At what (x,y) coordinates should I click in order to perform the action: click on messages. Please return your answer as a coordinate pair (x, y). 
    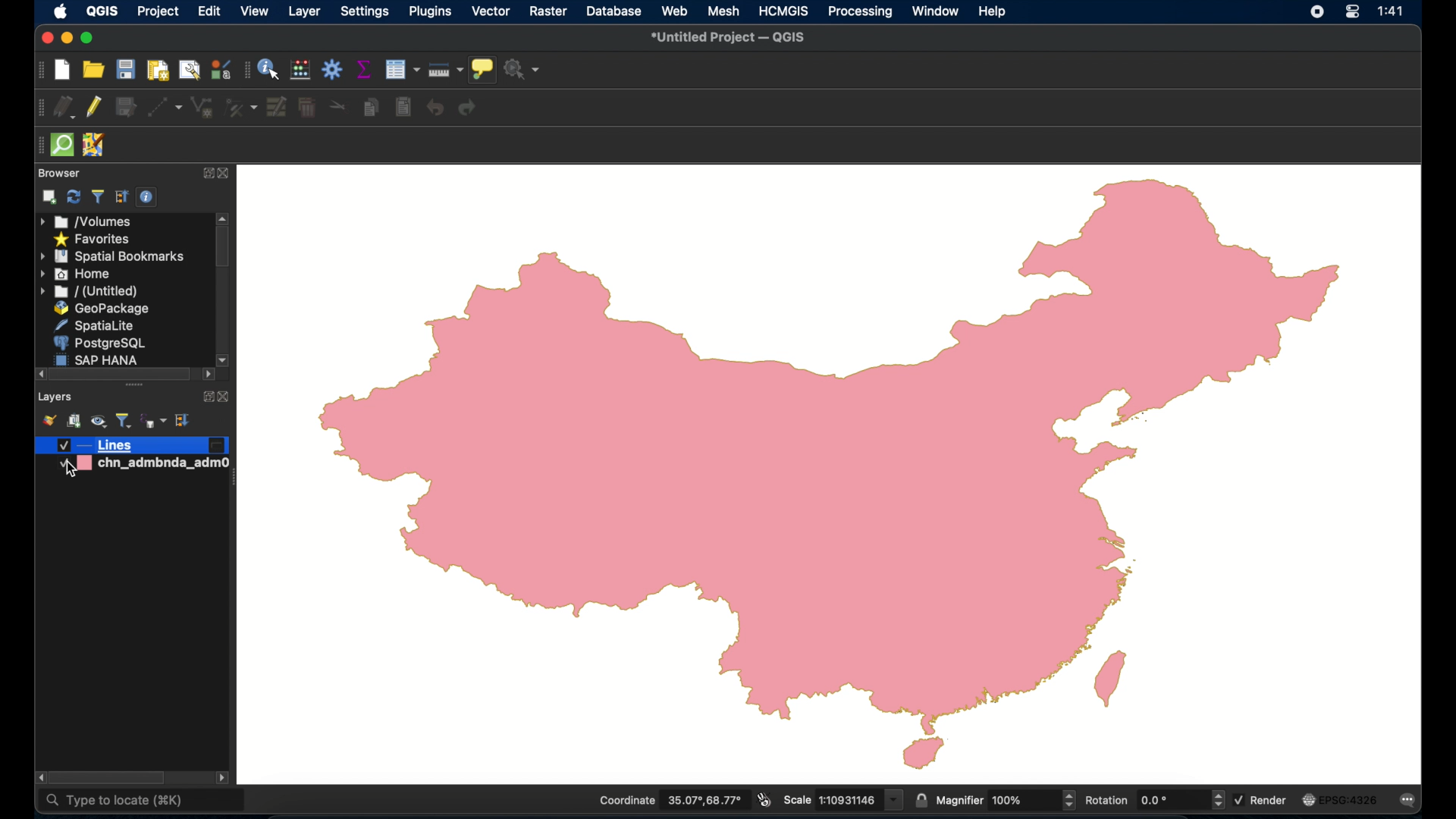
    Looking at the image, I should click on (1410, 800).